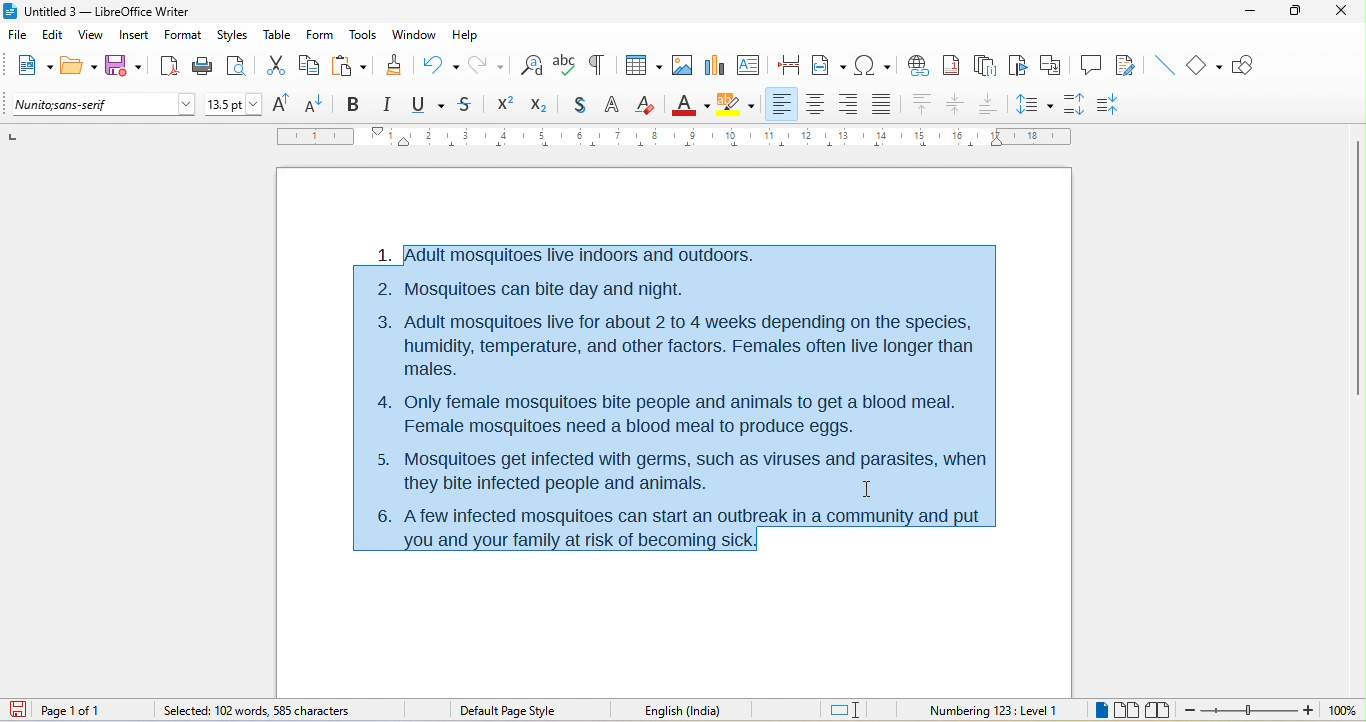  I want to click on undo, so click(441, 63).